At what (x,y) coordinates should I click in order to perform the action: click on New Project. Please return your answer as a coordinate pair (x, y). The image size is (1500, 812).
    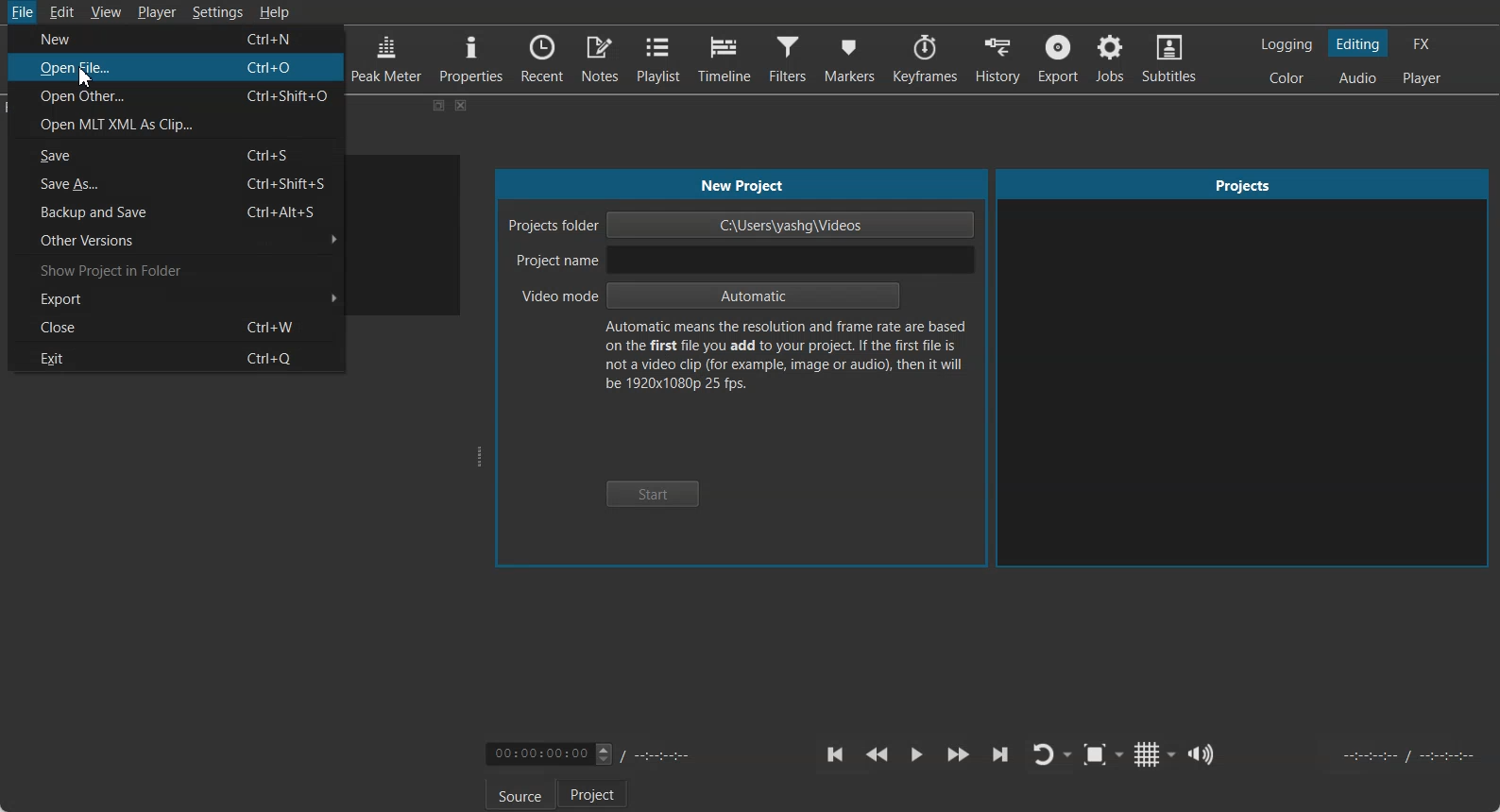
    Looking at the image, I should click on (741, 182).